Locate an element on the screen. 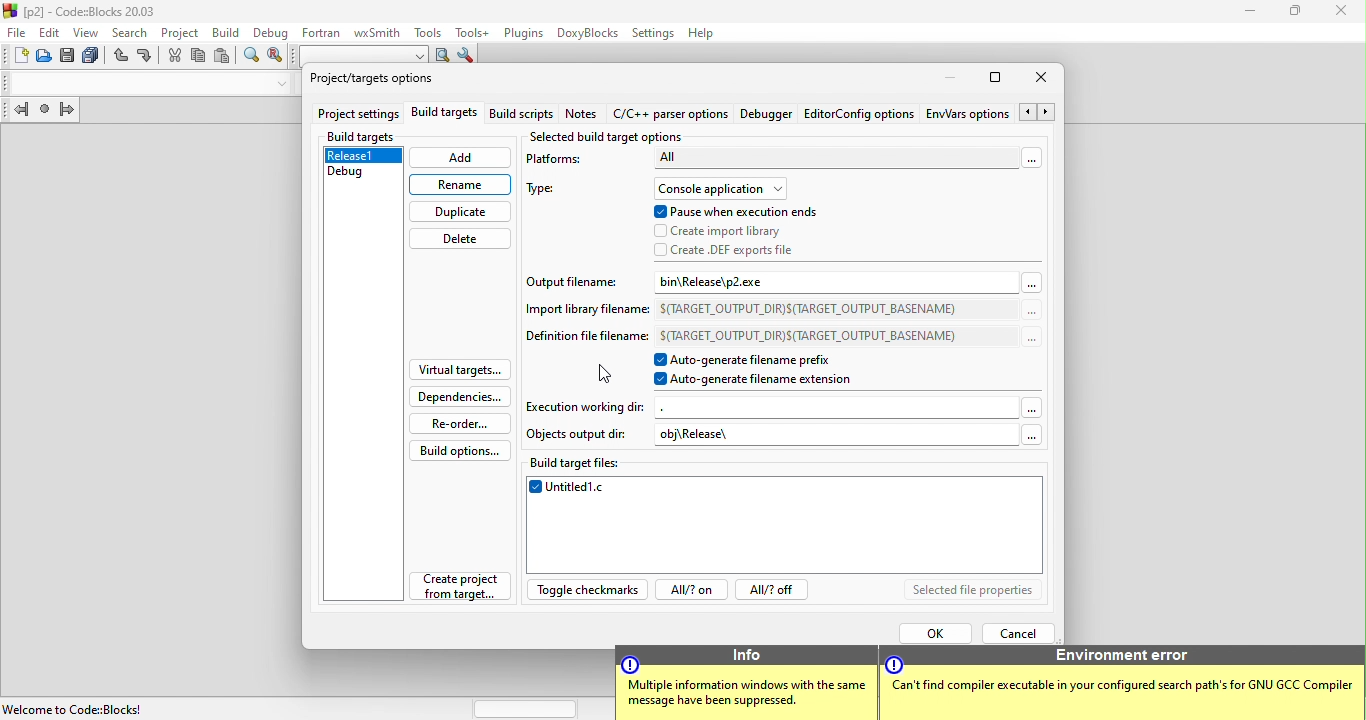 The width and height of the screenshot is (1366, 720). search is located at coordinates (132, 31).